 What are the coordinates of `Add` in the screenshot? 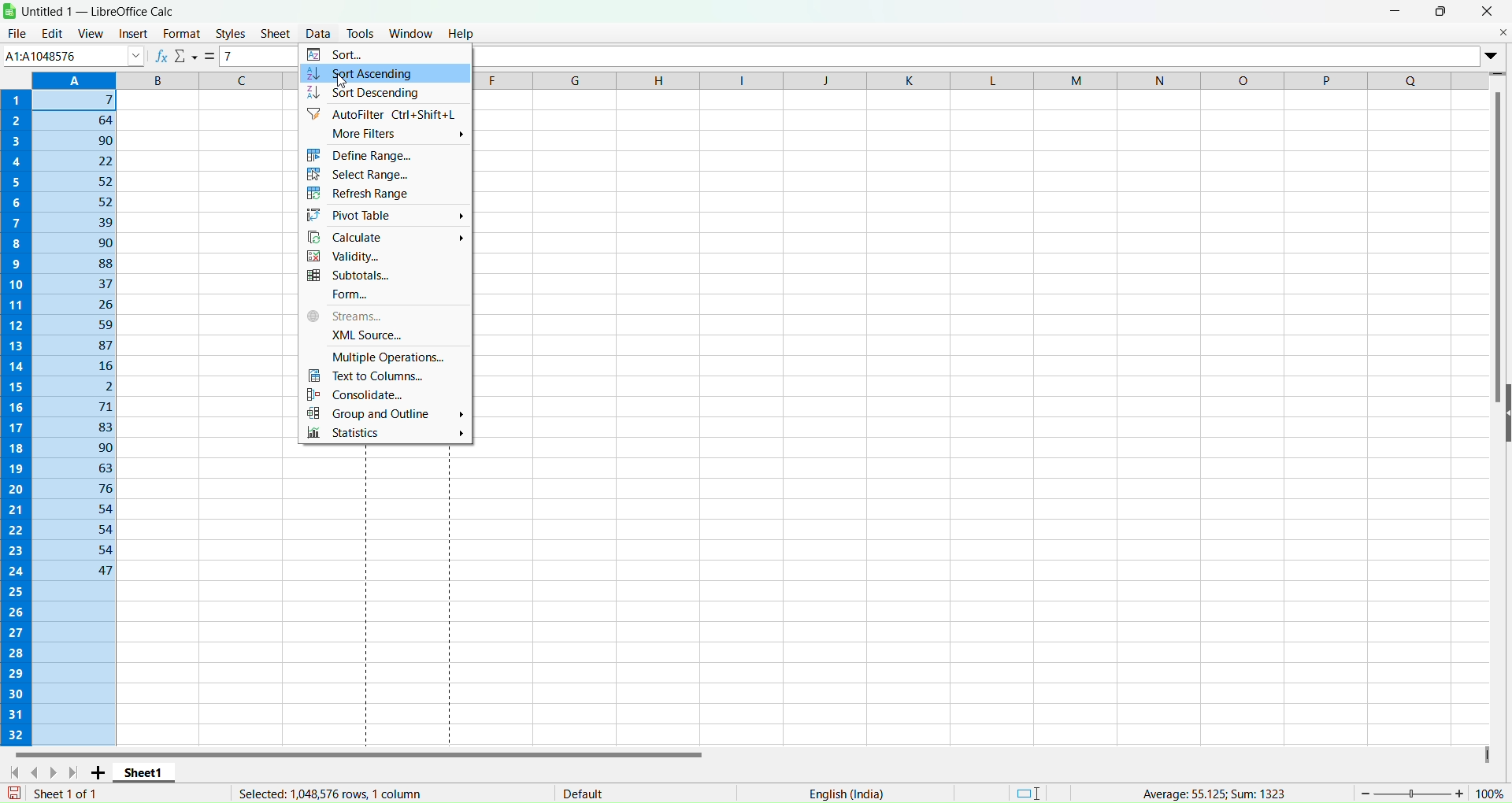 It's located at (101, 772).